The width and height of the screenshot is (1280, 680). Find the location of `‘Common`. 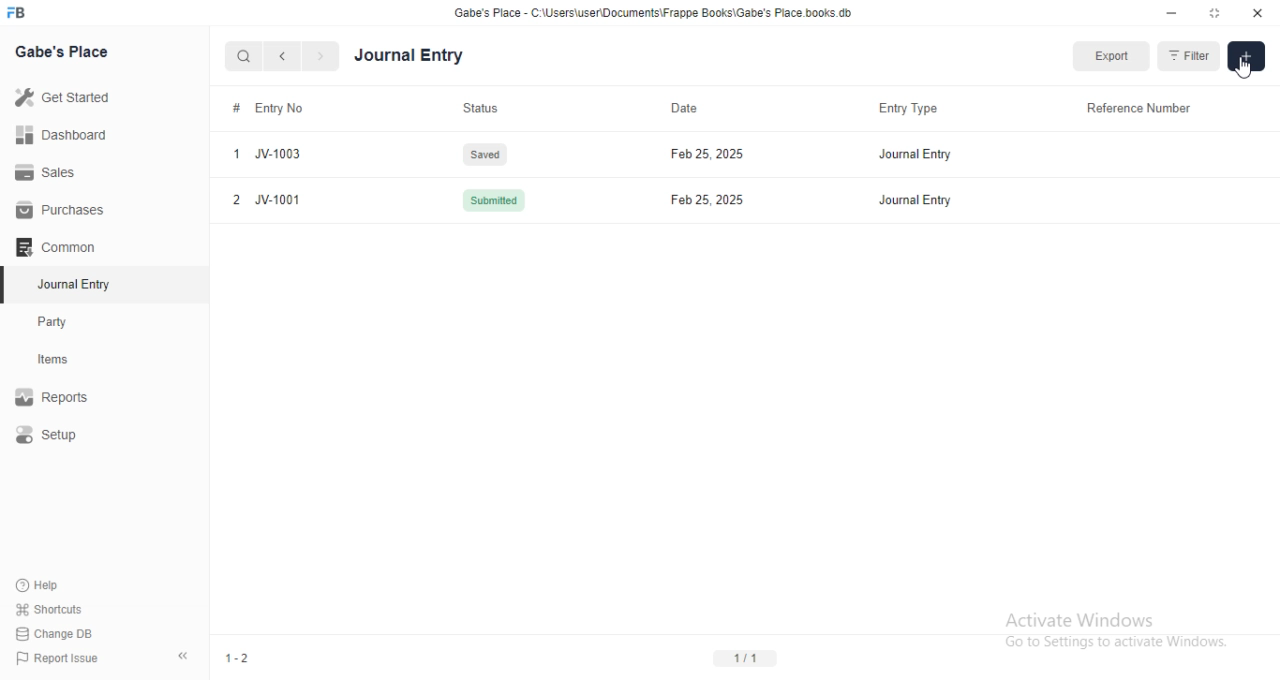

‘Common is located at coordinates (57, 246).